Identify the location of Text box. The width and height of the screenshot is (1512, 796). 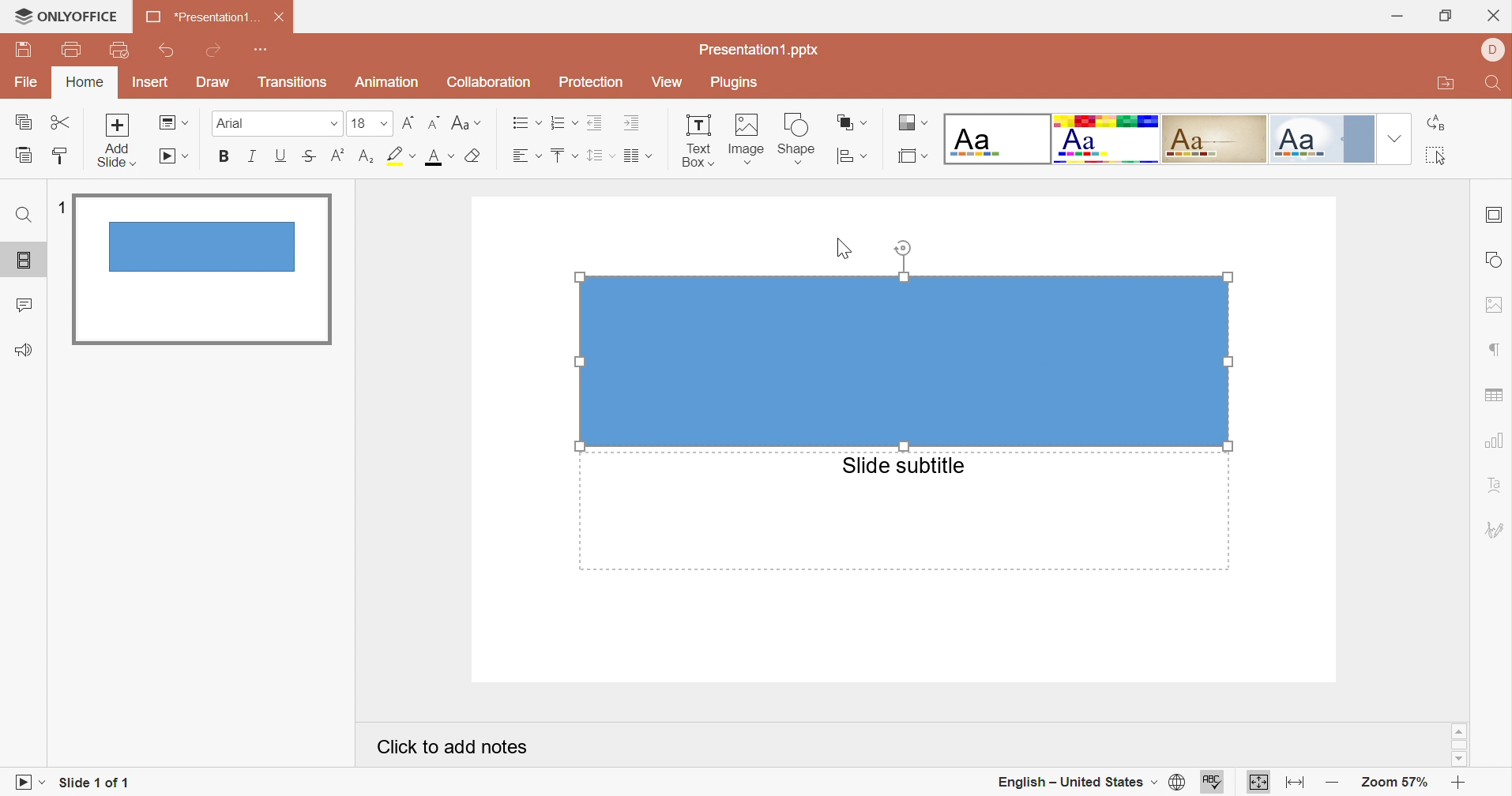
(905, 362).